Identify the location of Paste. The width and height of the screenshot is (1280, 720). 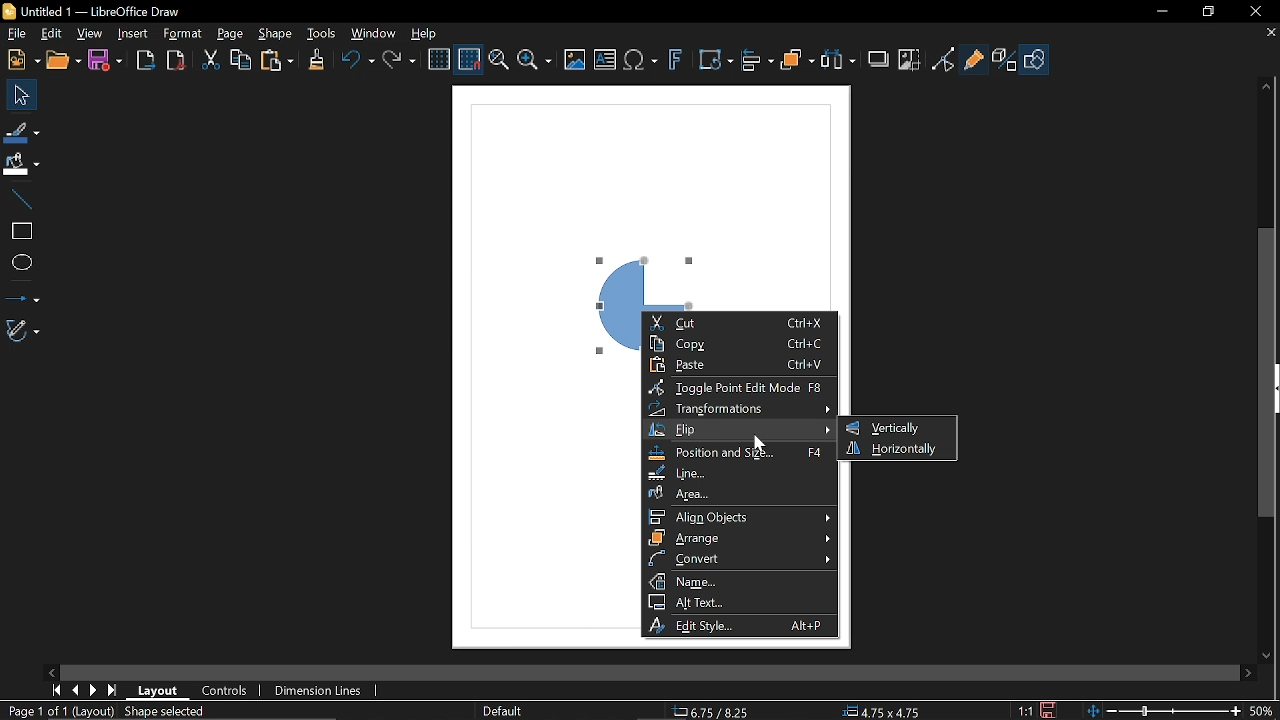
(277, 61).